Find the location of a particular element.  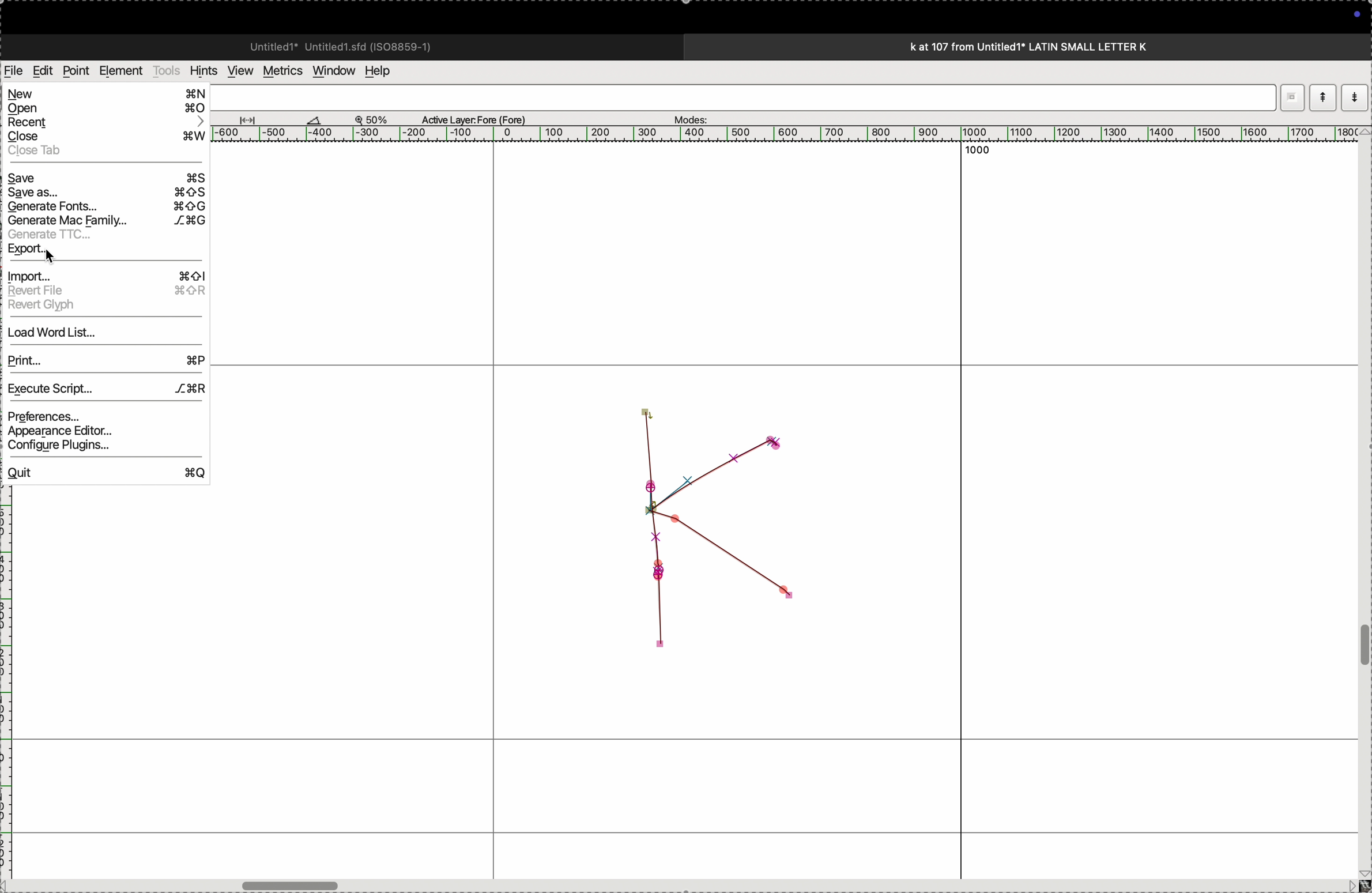

revert glyph is located at coordinates (103, 306).